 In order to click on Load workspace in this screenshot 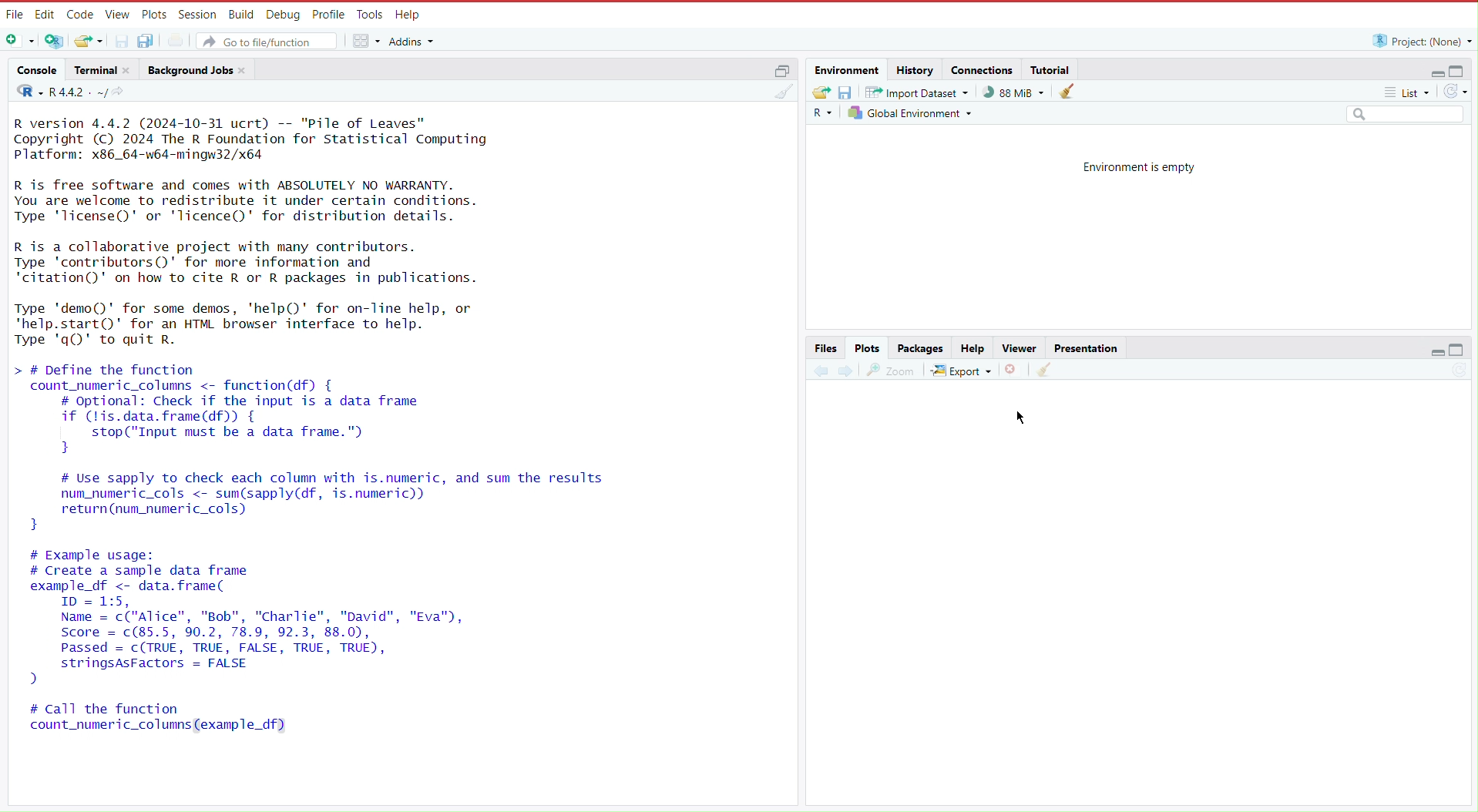, I will do `click(821, 91)`.